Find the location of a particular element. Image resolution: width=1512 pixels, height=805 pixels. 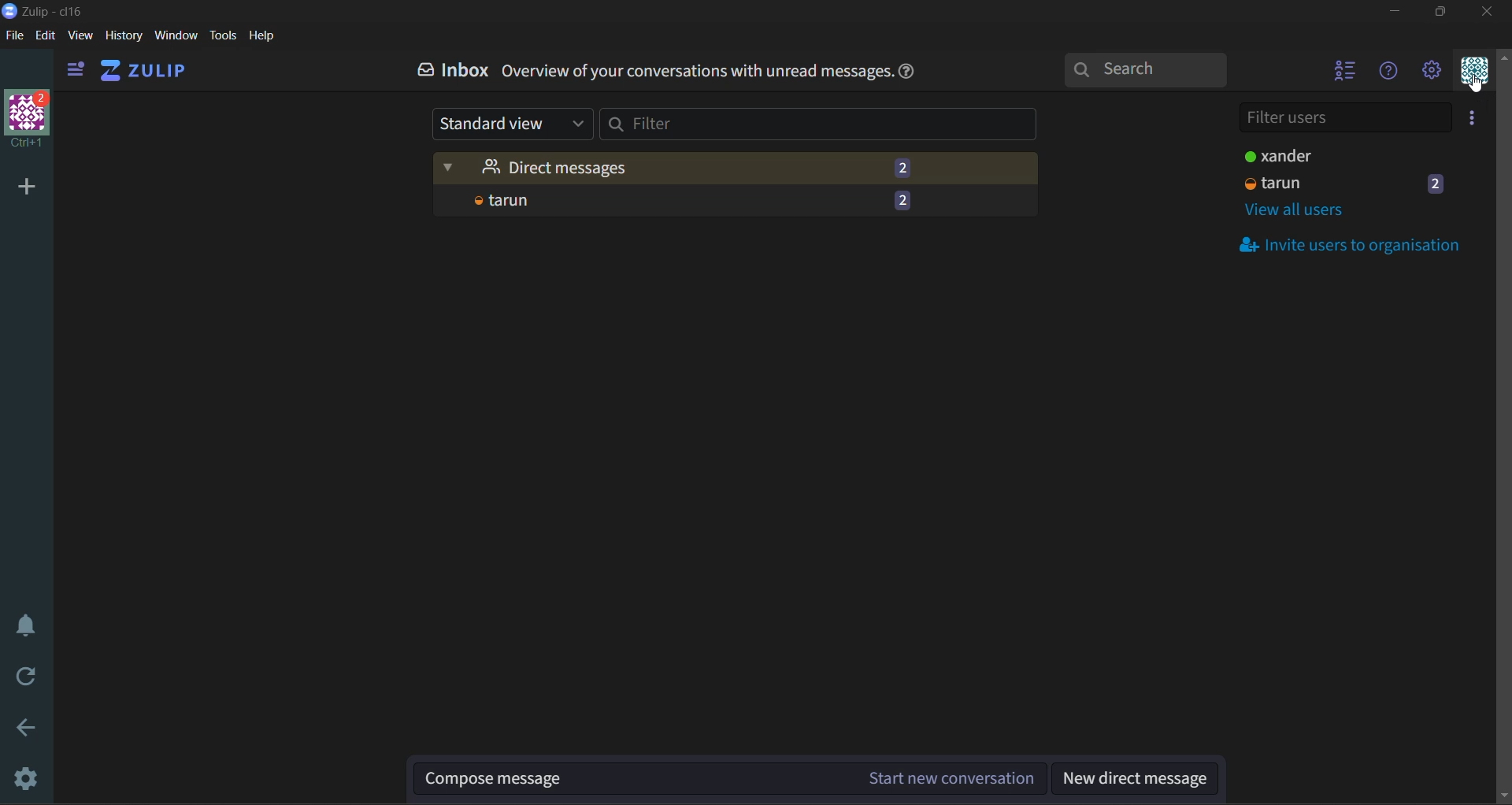

window is located at coordinates (178, 37).